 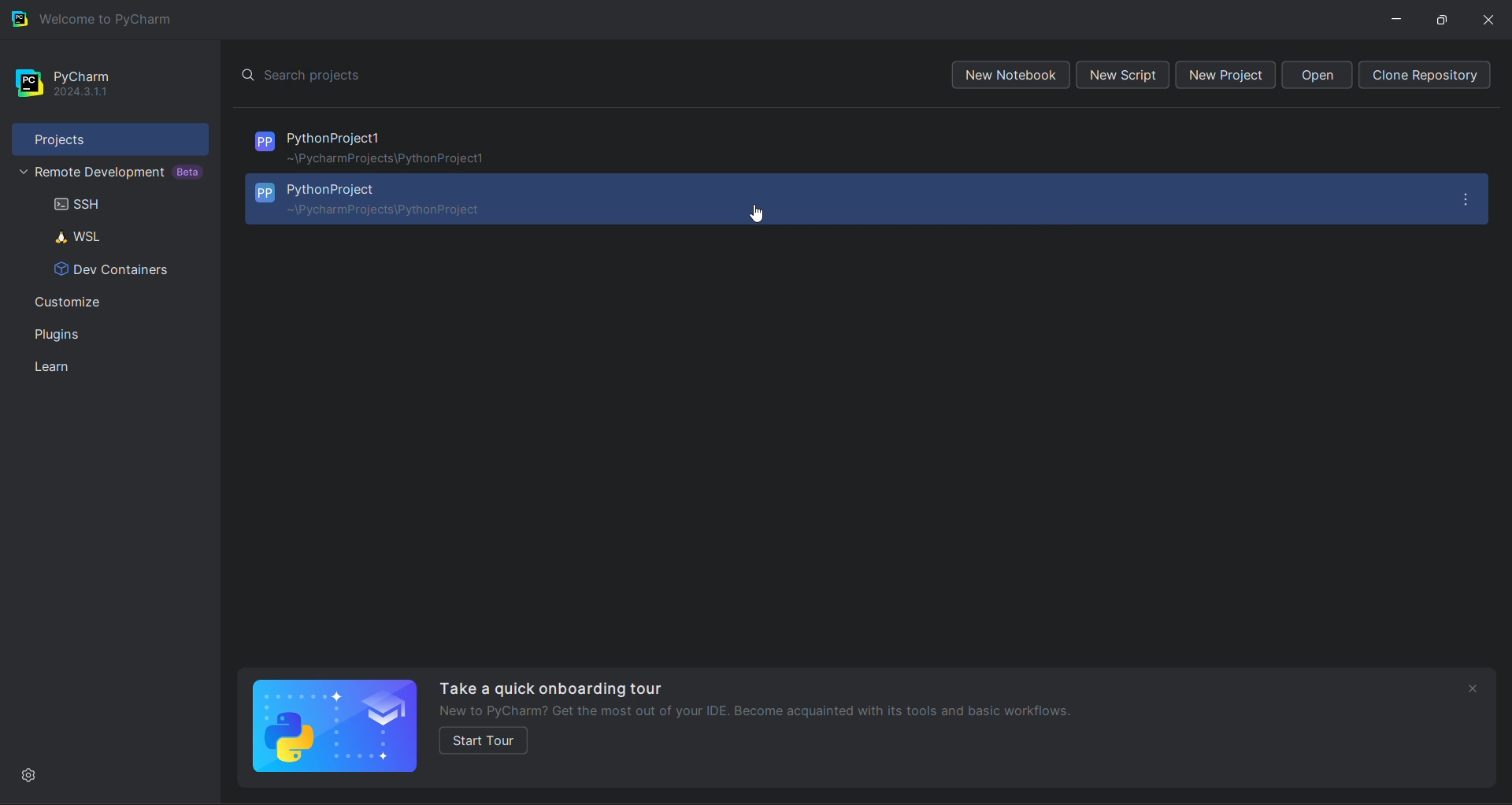 What do you see at coordinates (1317, 76) in the screenshot?
I see `open` at bounding box center [1317, 76].